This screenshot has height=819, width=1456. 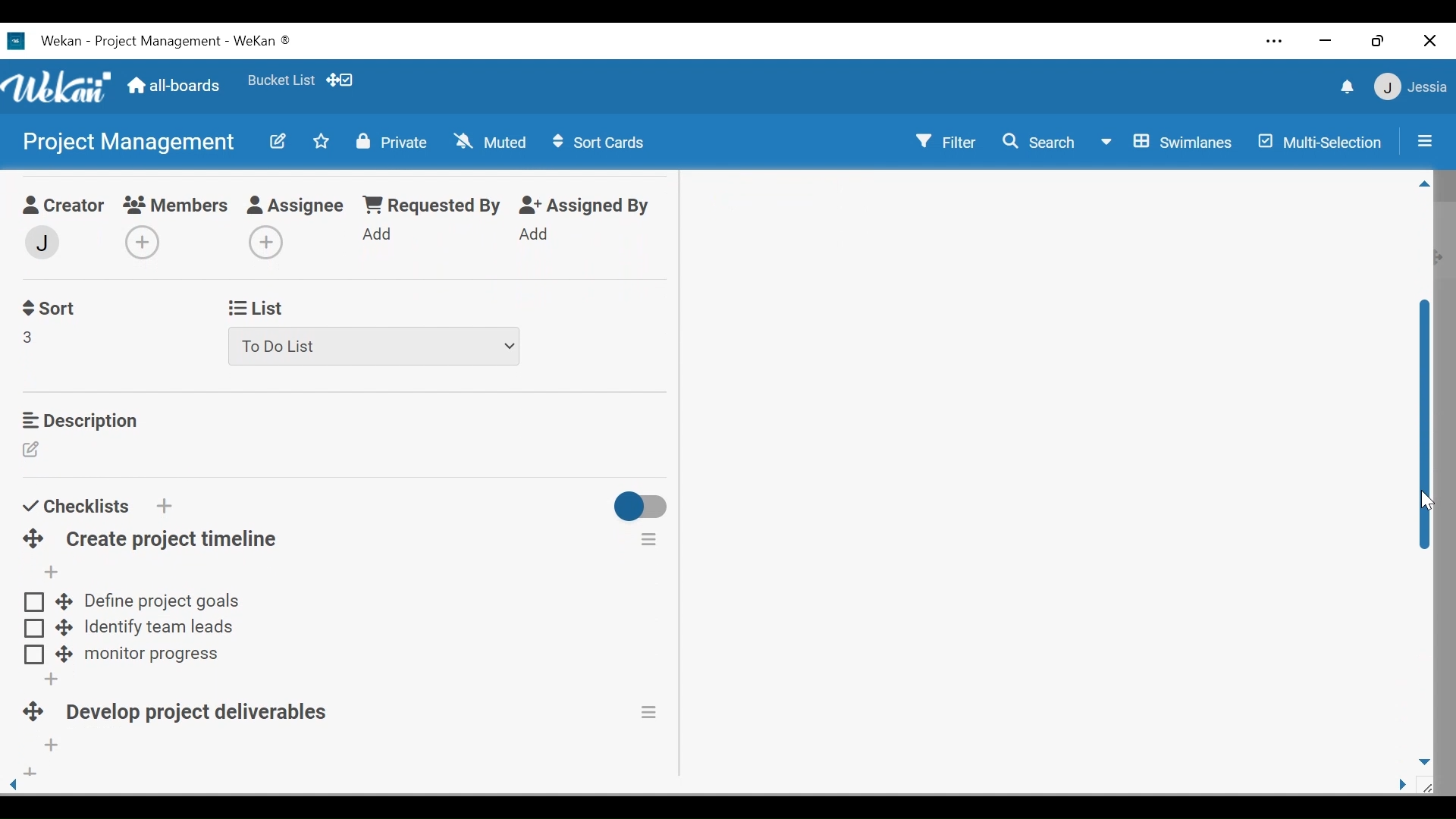 What do you see at coordinates (1408, 786) in the screenshot?
I see `page side` at bounding box center [1408, 786].